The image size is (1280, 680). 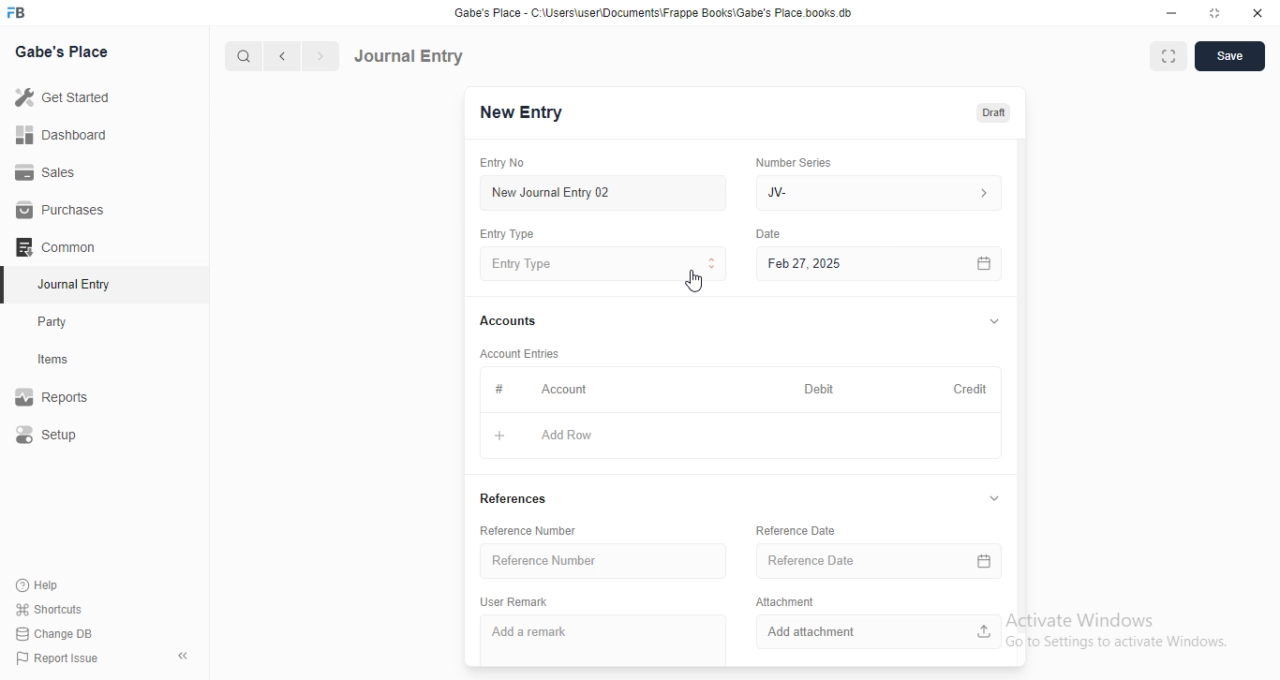 What do you see at coordinates (878, 564) in the screenshot?
I see `Reference Date.` at bounding box center [878, 564].